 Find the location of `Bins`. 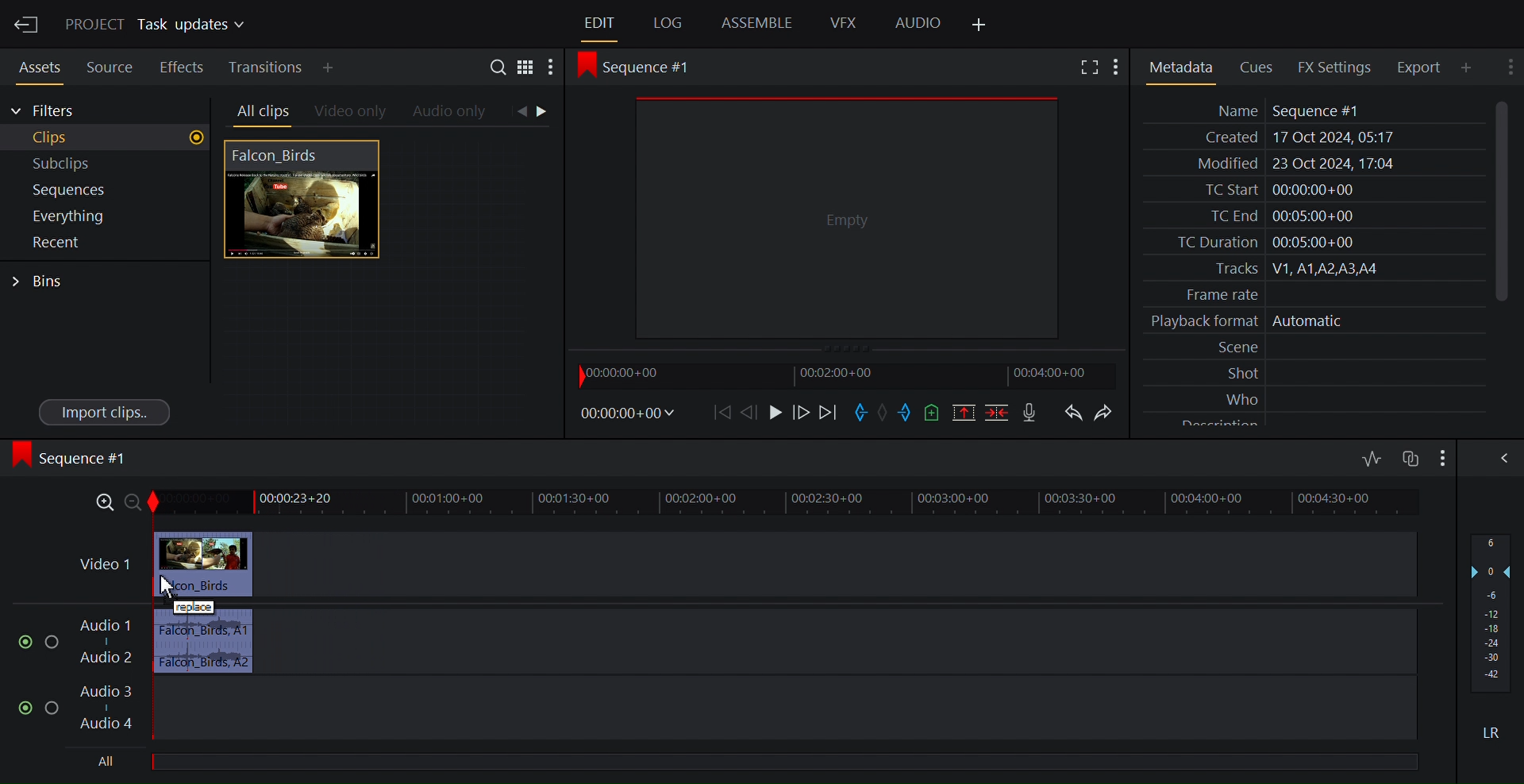

Bins is located at coordinates (39, 282).